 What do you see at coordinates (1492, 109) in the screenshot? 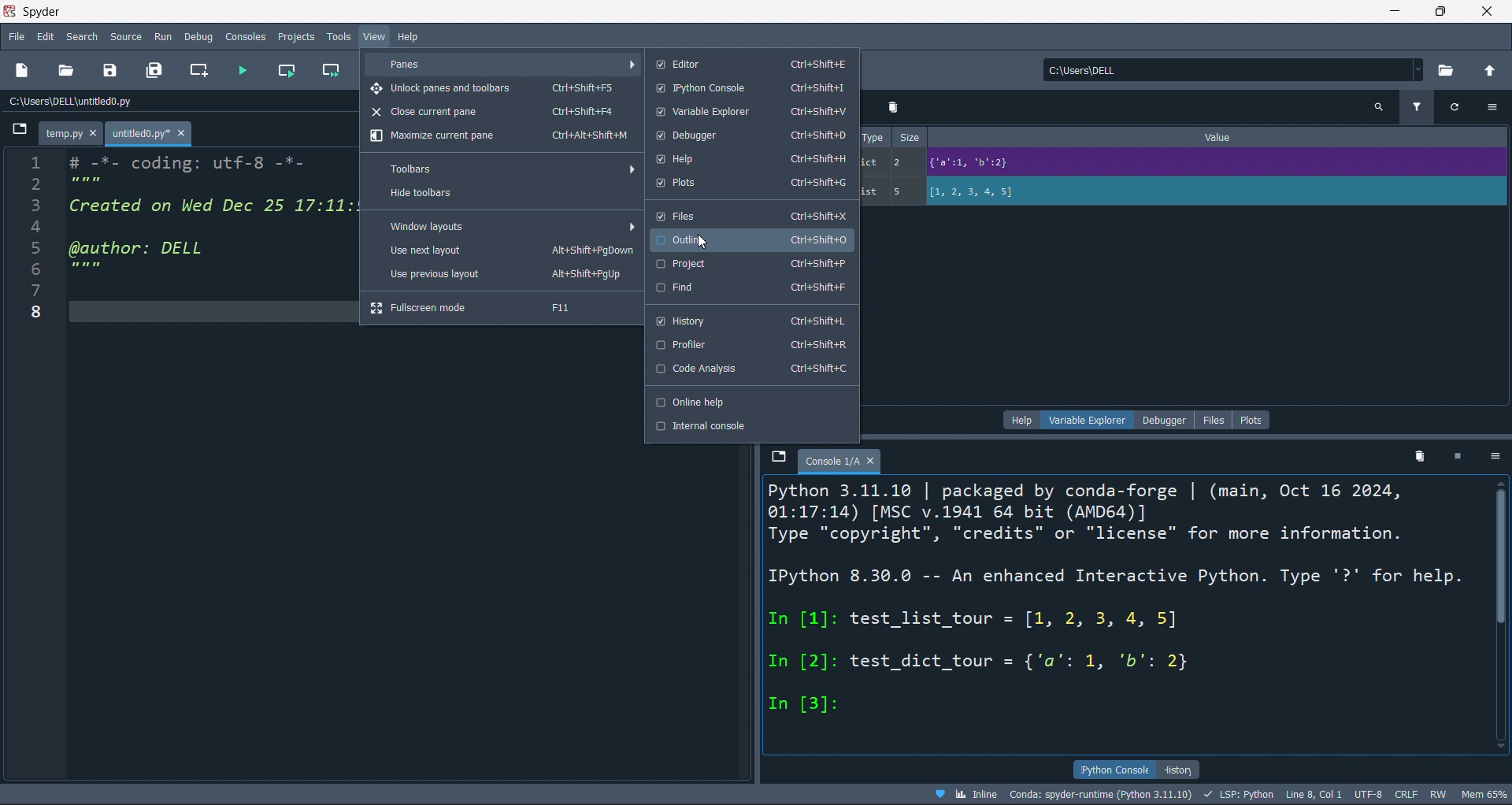
I see `more options` at bounding box center [1492, 109].